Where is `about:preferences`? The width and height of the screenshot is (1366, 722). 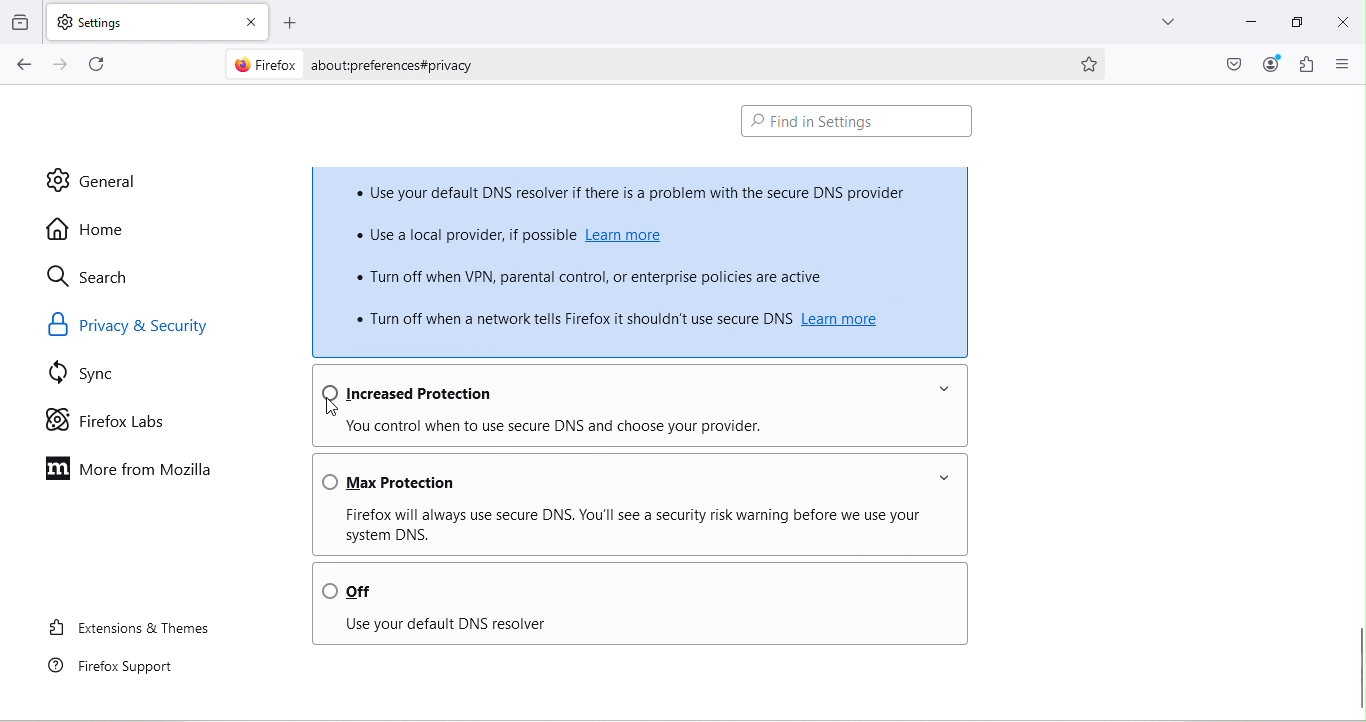
about:preferences is located at coordinates (685, 62).